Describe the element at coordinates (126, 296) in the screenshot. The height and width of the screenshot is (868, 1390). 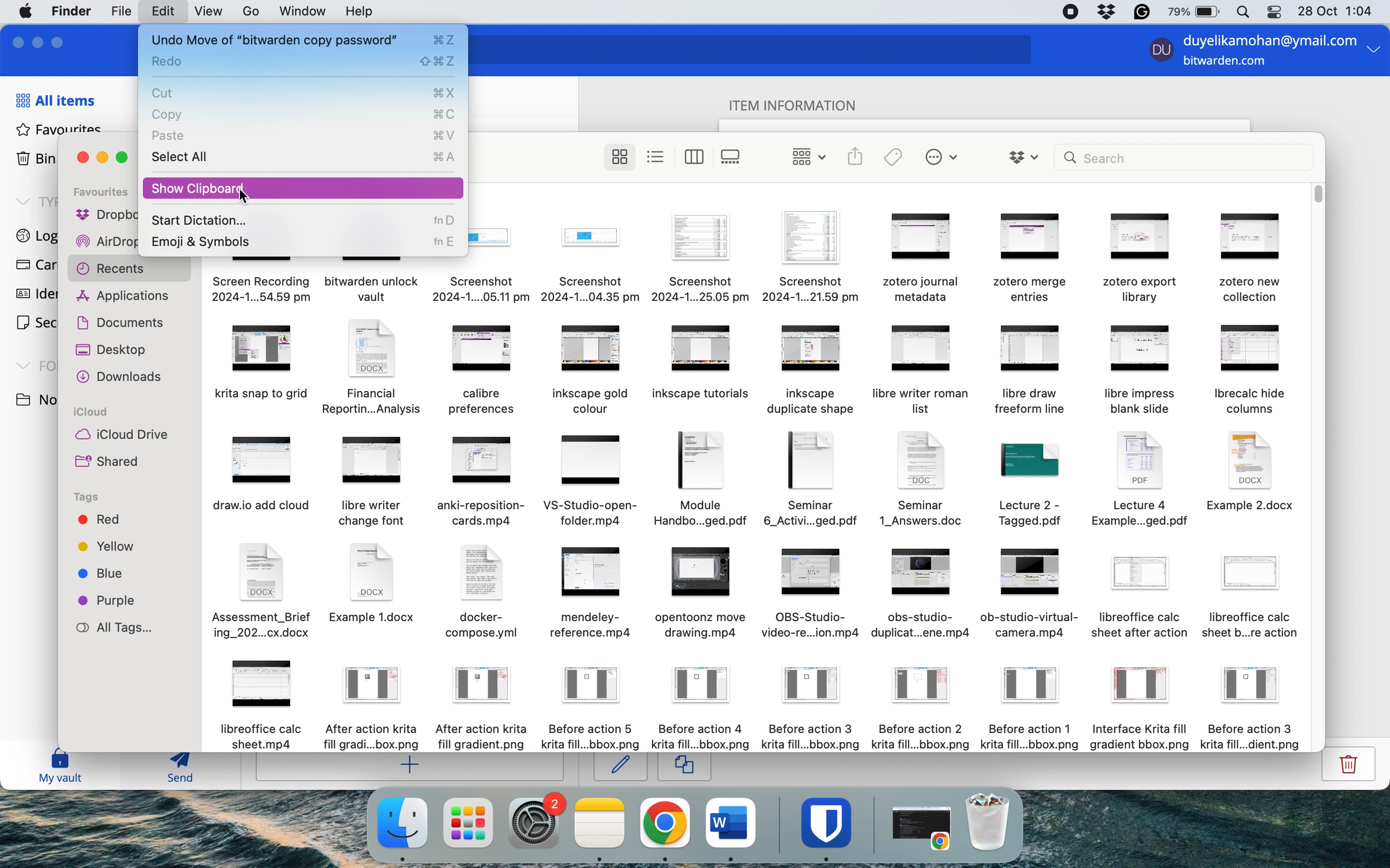
I see `applications` at that location.